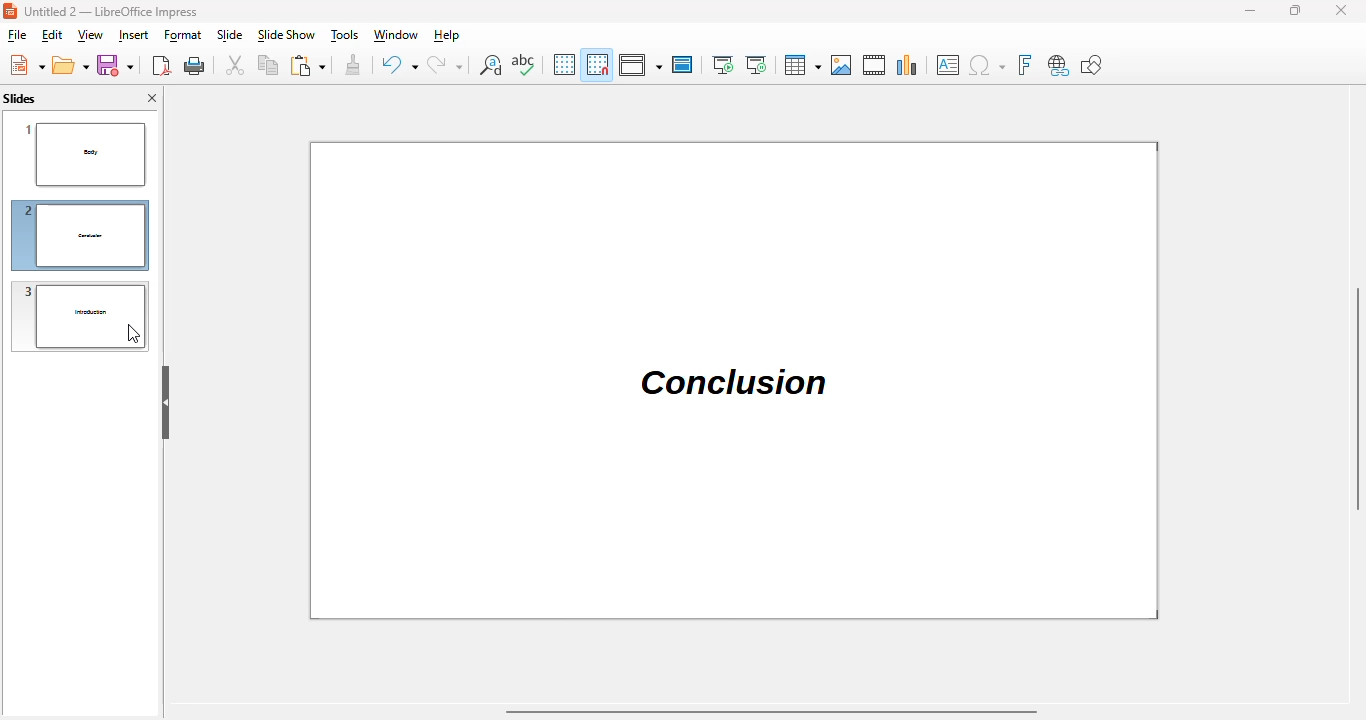 The width and height of the screenshot is (1366, 720). I want to click on redo, so click(445, 64).